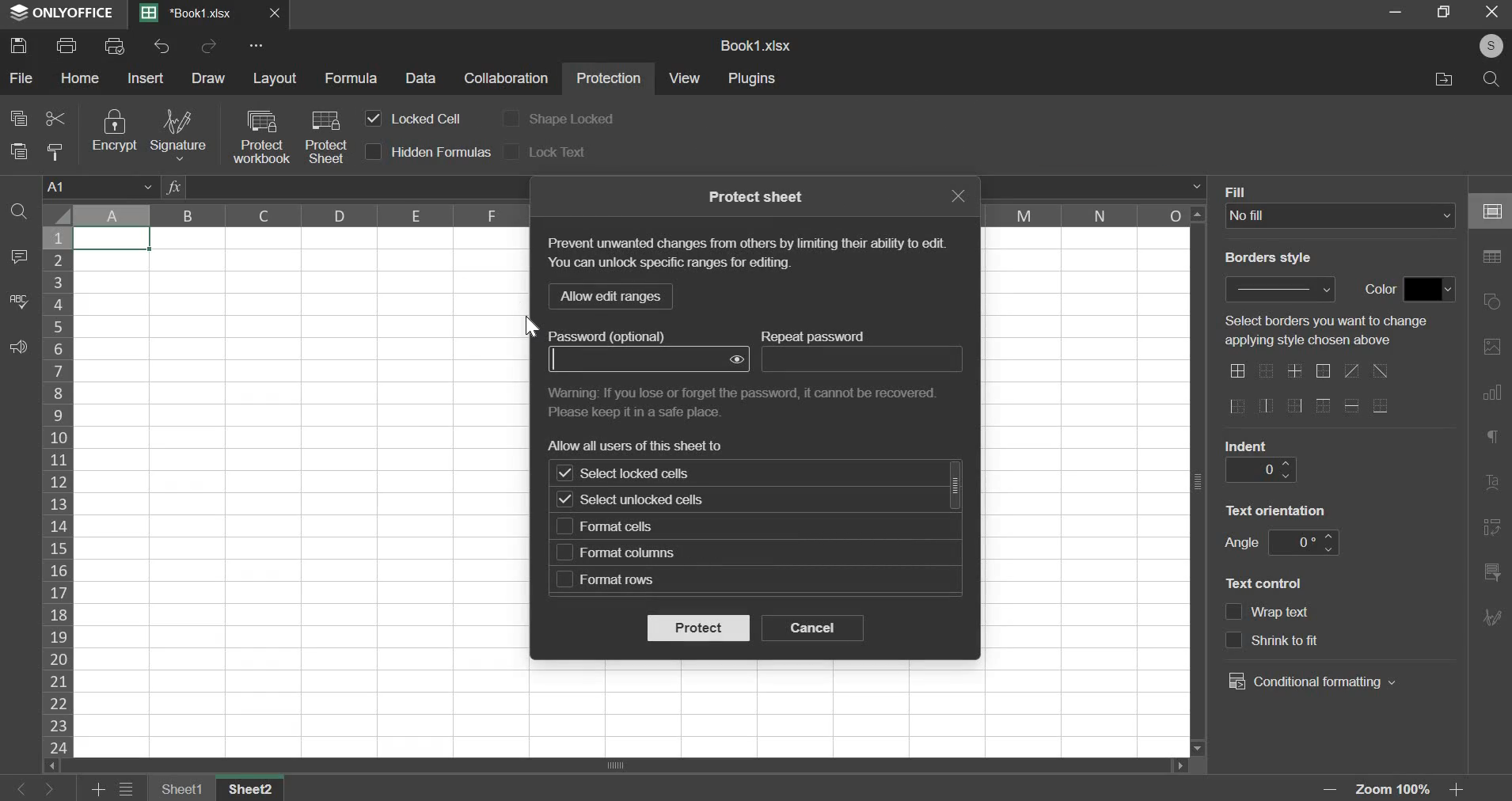 This screenshot has width=1512, height=801. I want to click on Book1.xlsx, so click(758, 47).